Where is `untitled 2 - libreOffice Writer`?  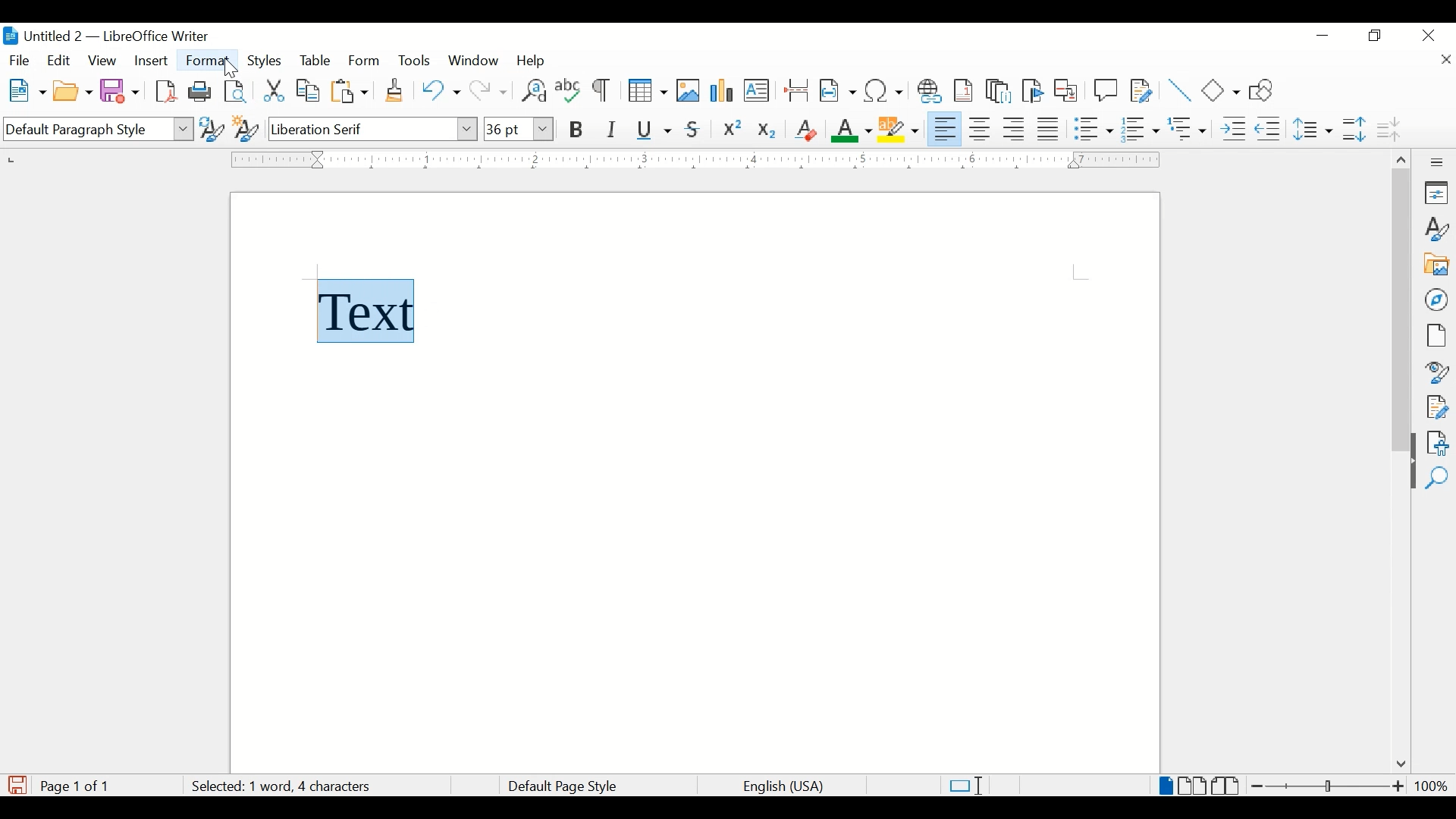
untitled 2 - libreOffice Writer is located at coordinates (105, 39).